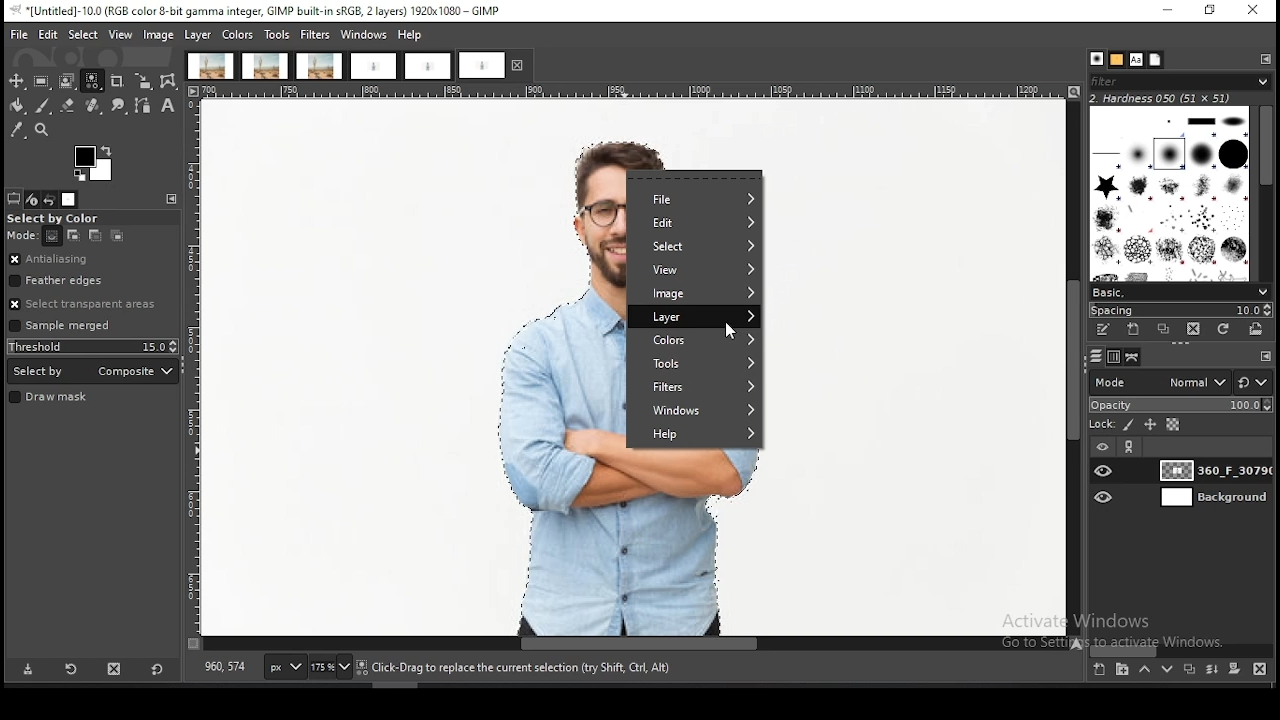 Image resolution: width=1280 pixels, height=720 pixels. Describe the element at coordinates (1161, 98) in the screenshot. I see `hardness 050 (51x51)` at that location.